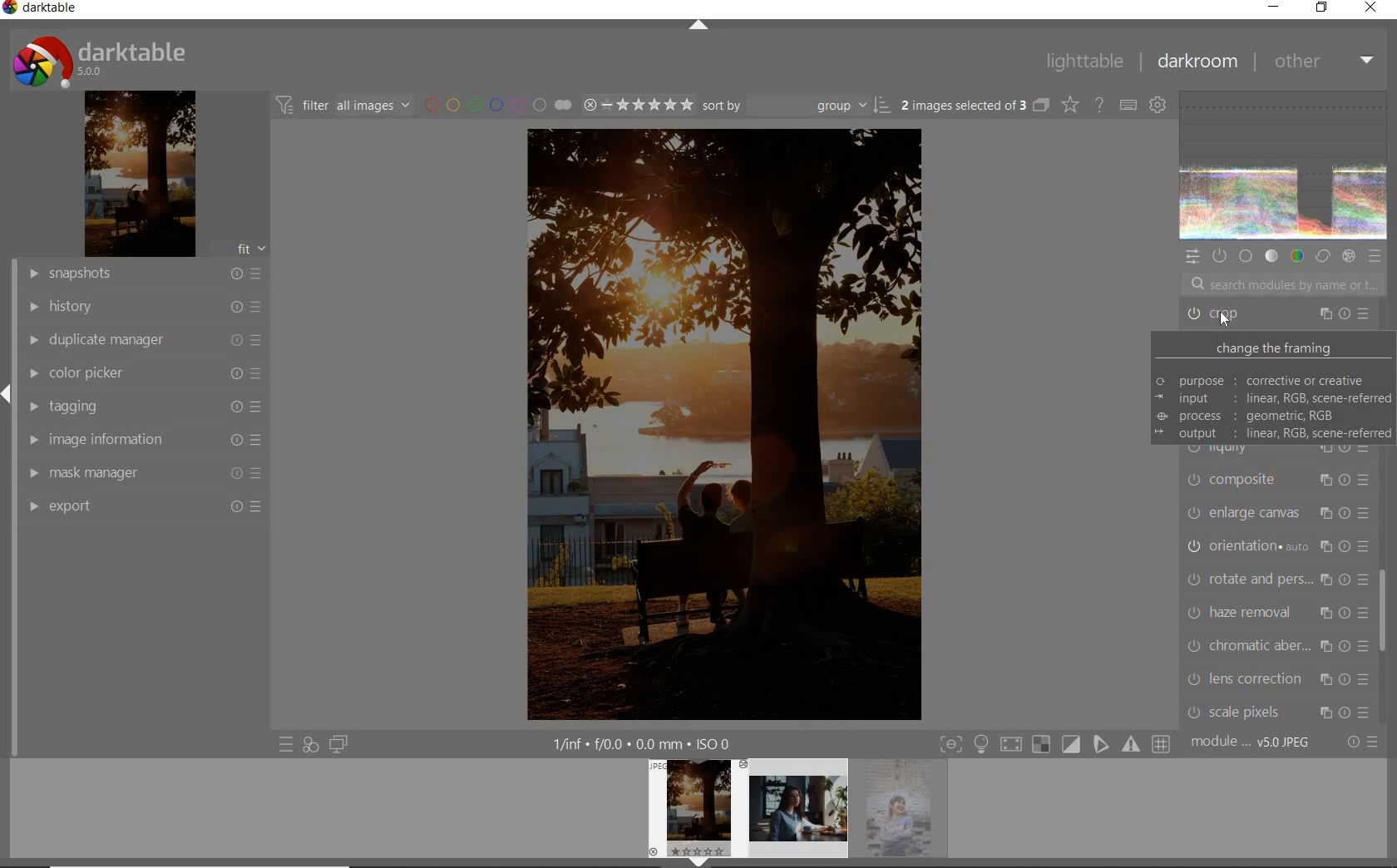 This screenshot has height=868, width=1397. What do you see at coordinates (1281, 679) in the screenshot?
I see `lens correction` at bounding box center [1281, 679].